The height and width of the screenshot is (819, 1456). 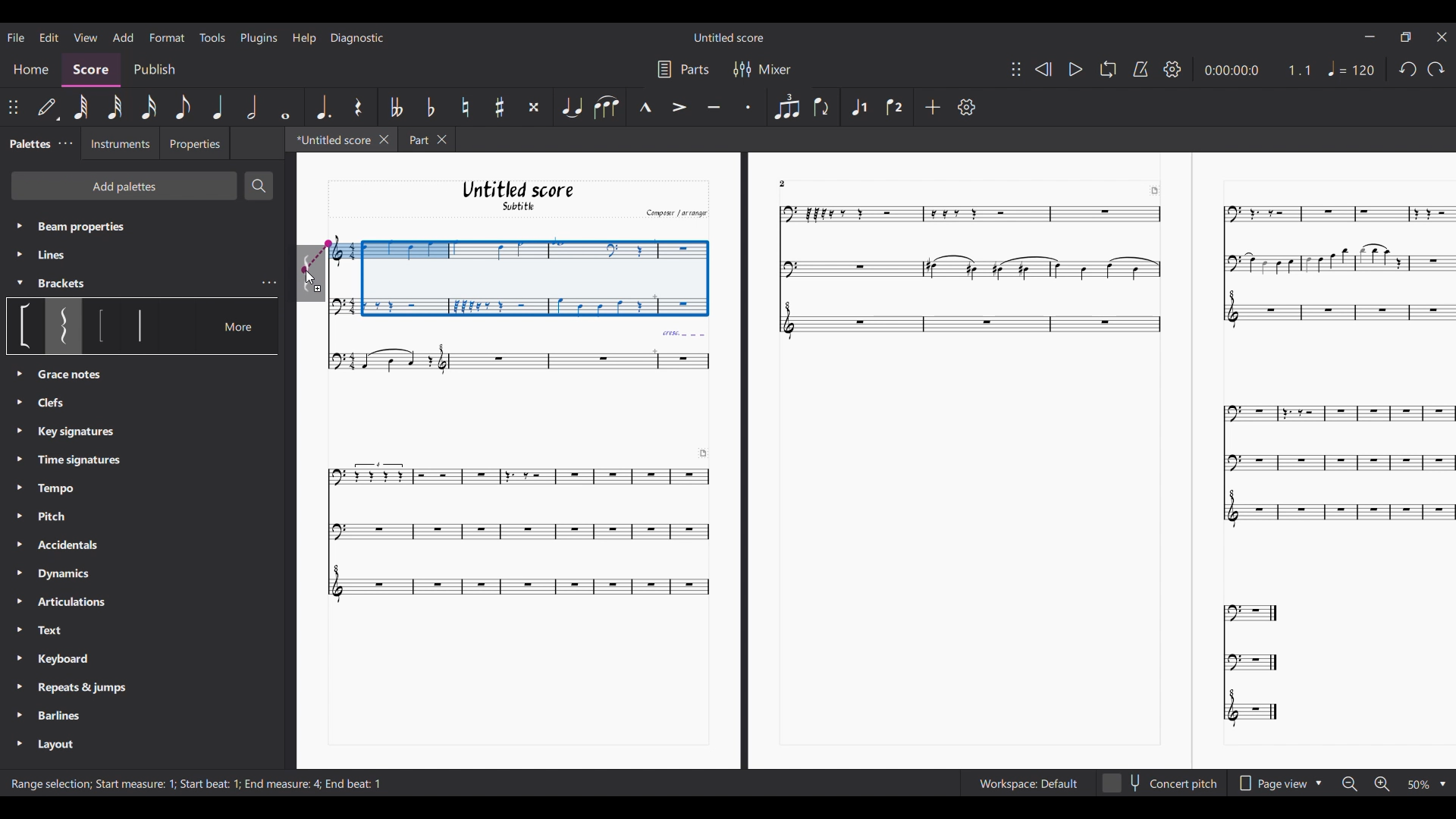 I want to click on 16th note, so click(x=149, y=108).